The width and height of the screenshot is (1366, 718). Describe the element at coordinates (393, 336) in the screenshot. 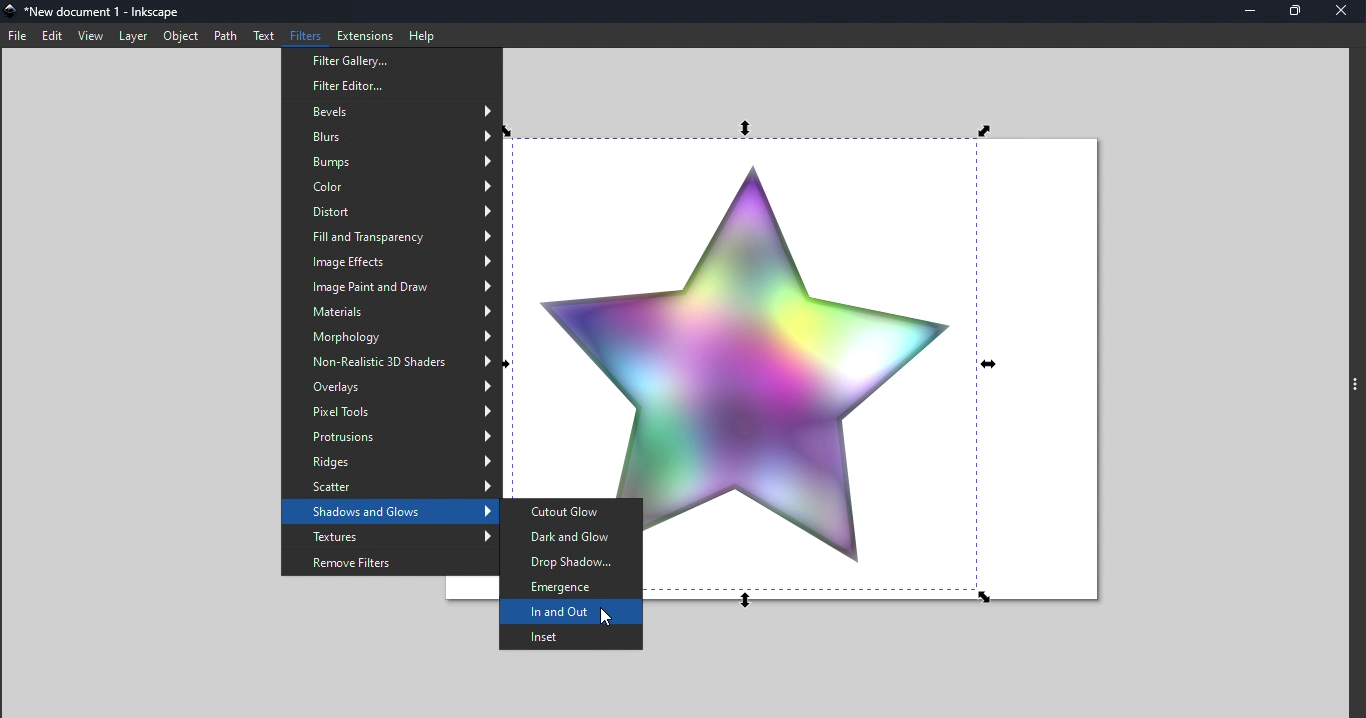

I see `Morphology` at that location.